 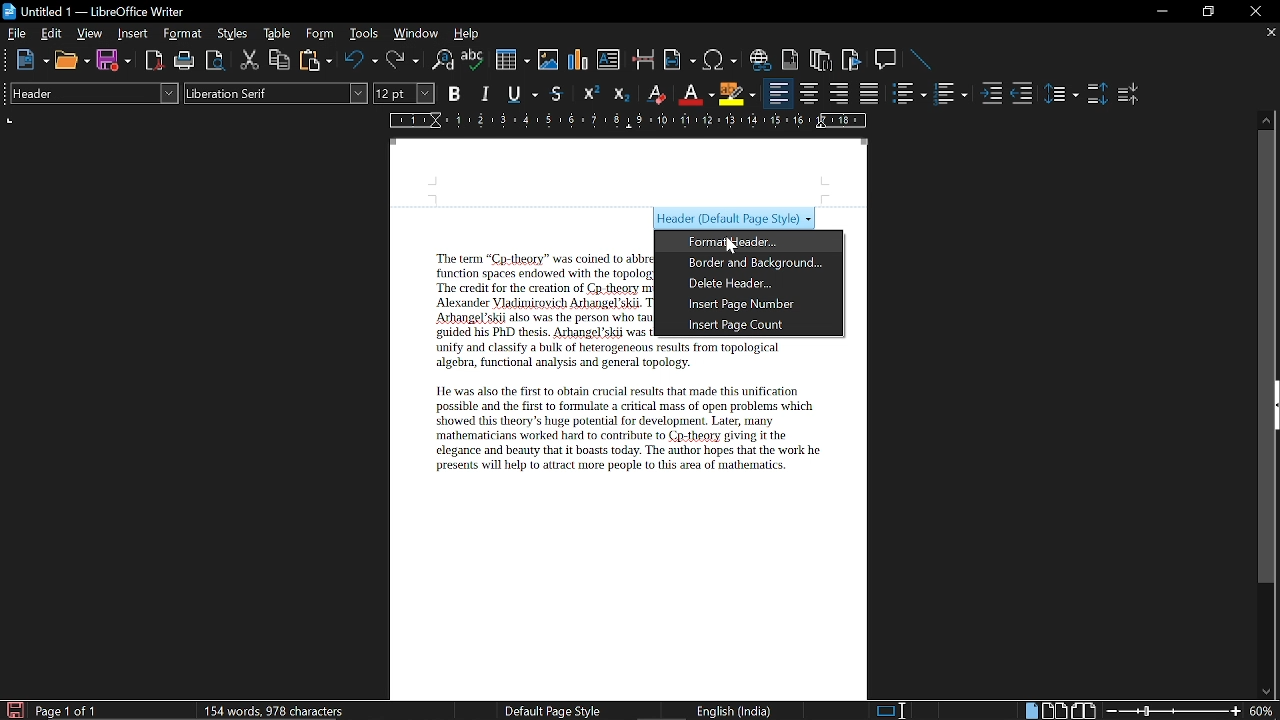 I want to click on Open, so click(x=72, y=61).